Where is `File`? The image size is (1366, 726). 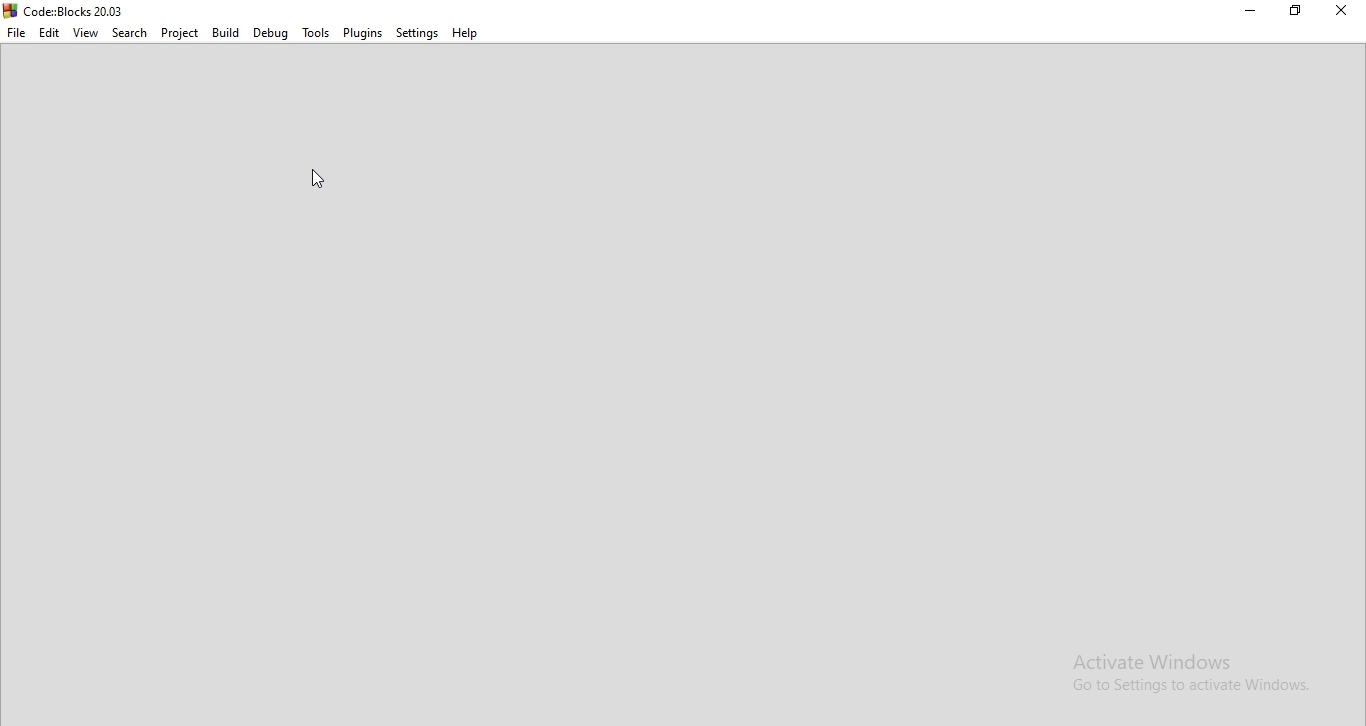
File is located at coordinates (18, 33).